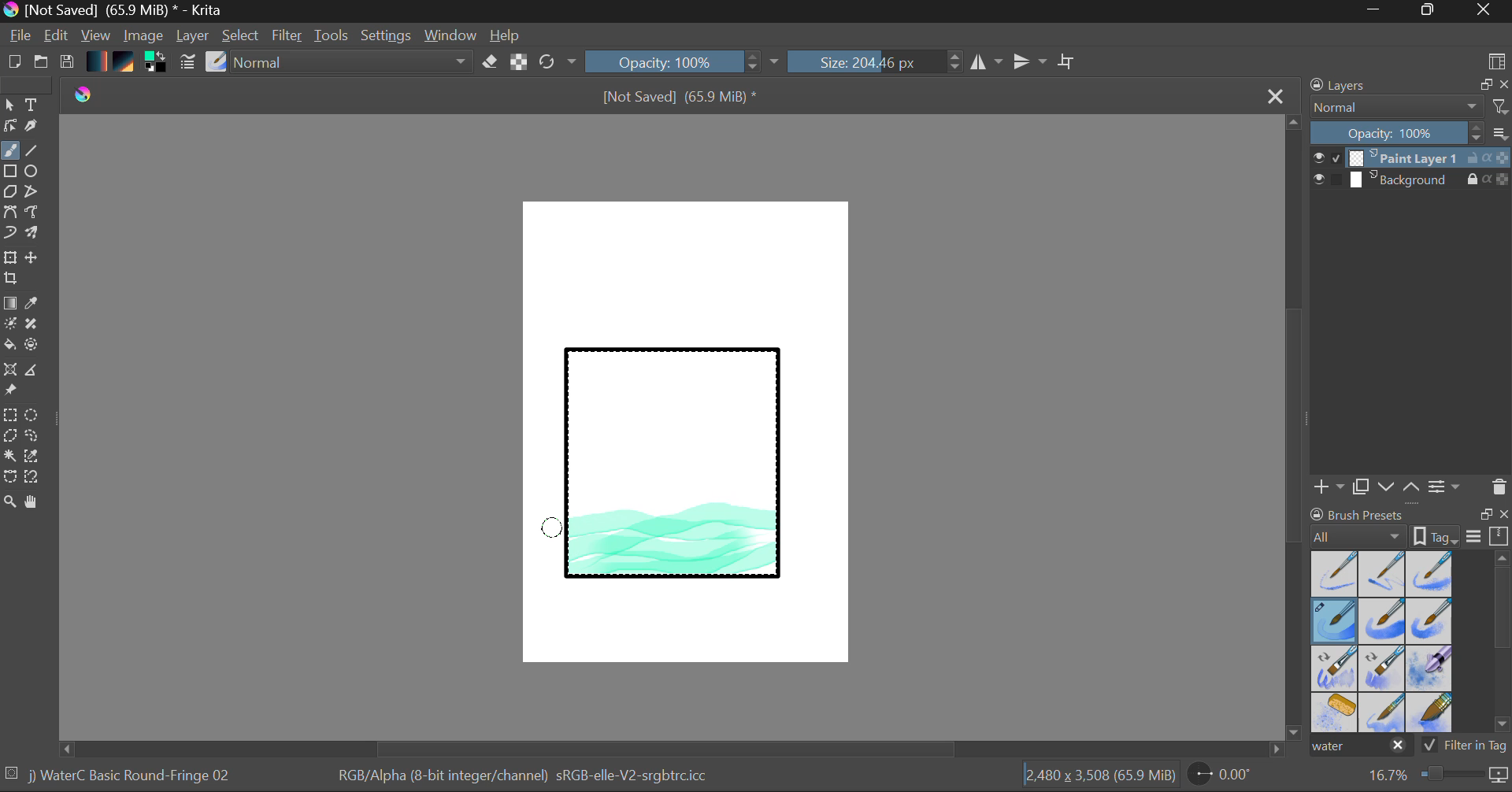 This screenshot has width=1512, height=792. Describe the element at coordinates (453, 35) in the screenshot. I see `Window` at that location.